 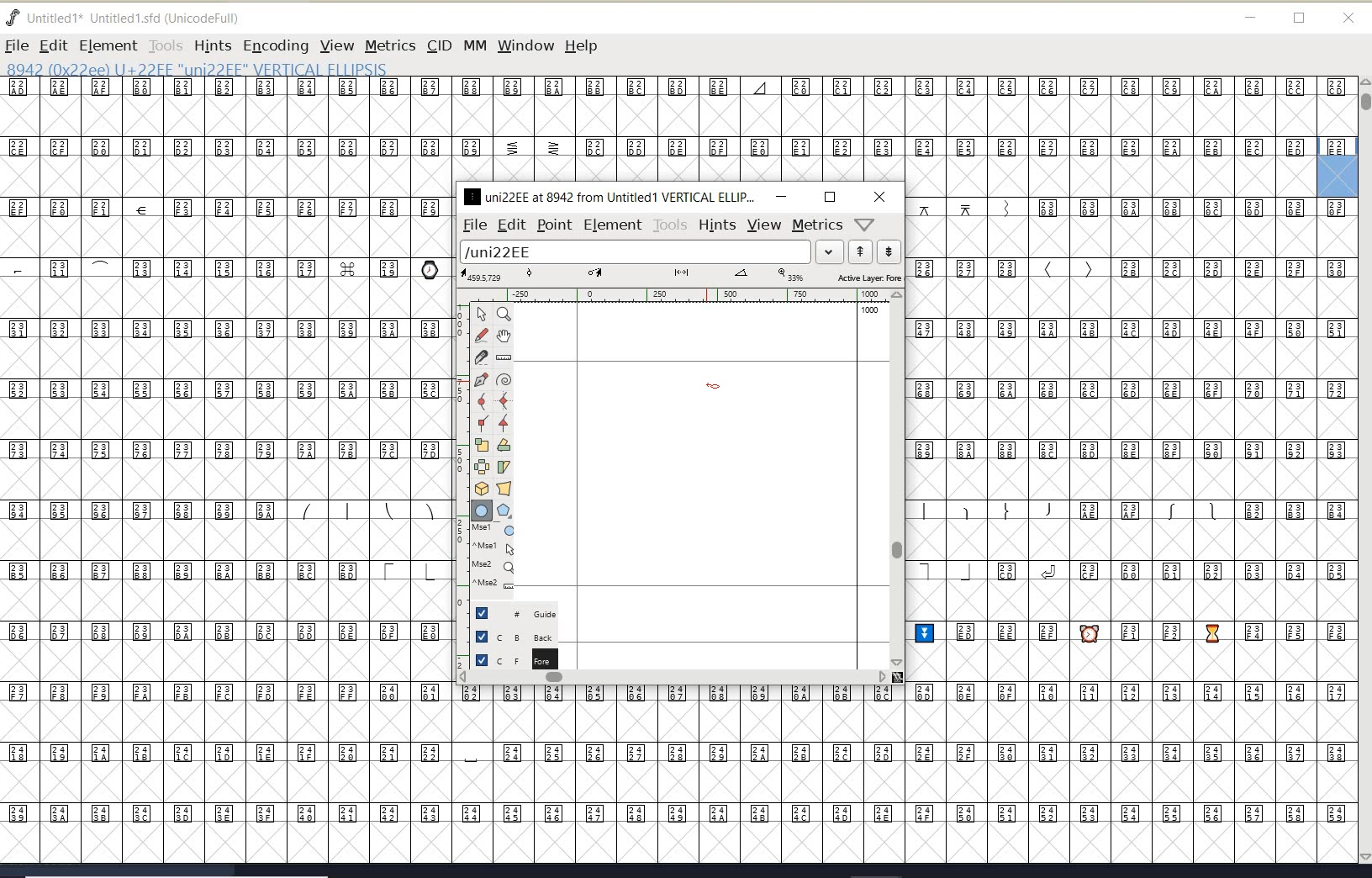 I want to click on ruler, so click(x=674, y=297).